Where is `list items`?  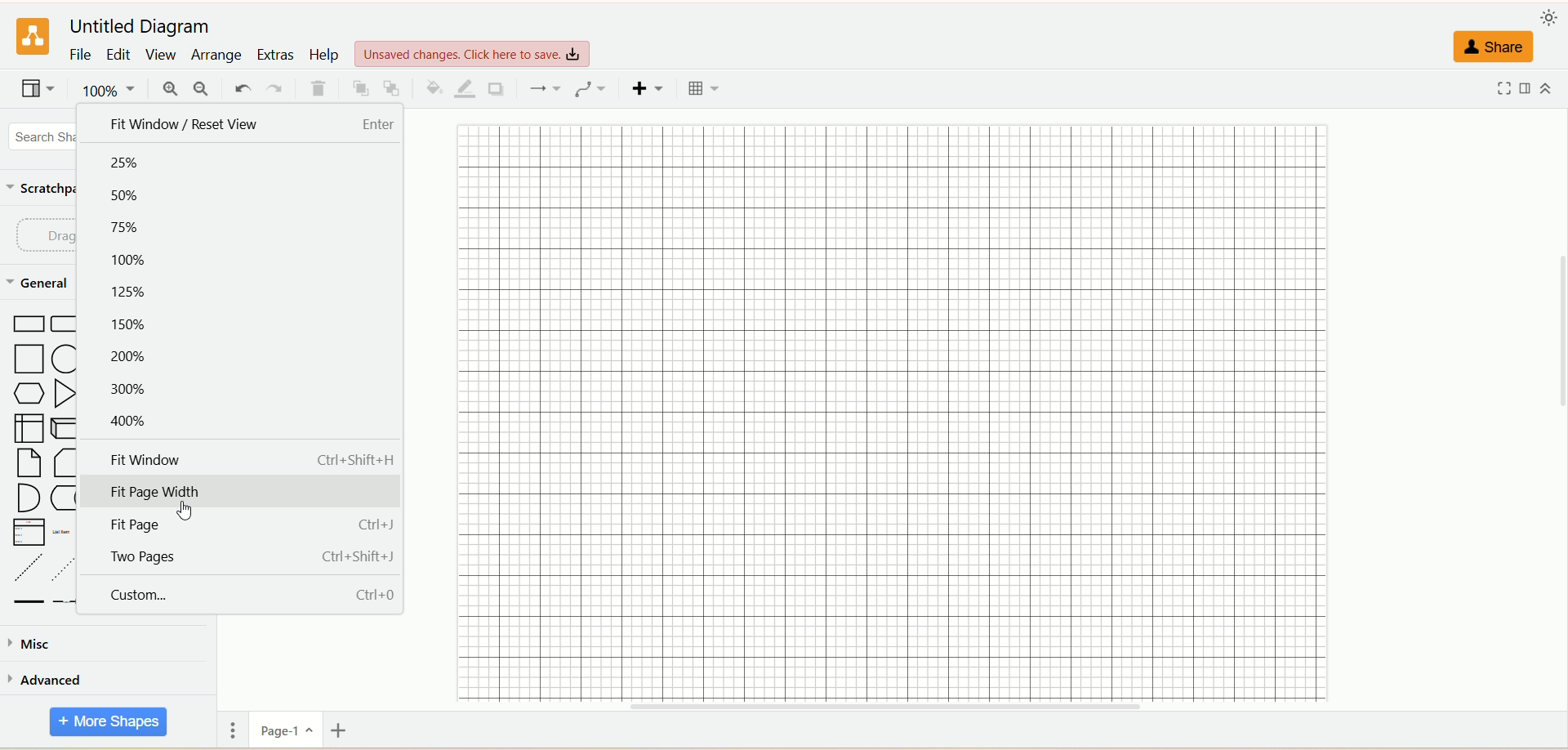
list items is located at coordinates (64, 532).